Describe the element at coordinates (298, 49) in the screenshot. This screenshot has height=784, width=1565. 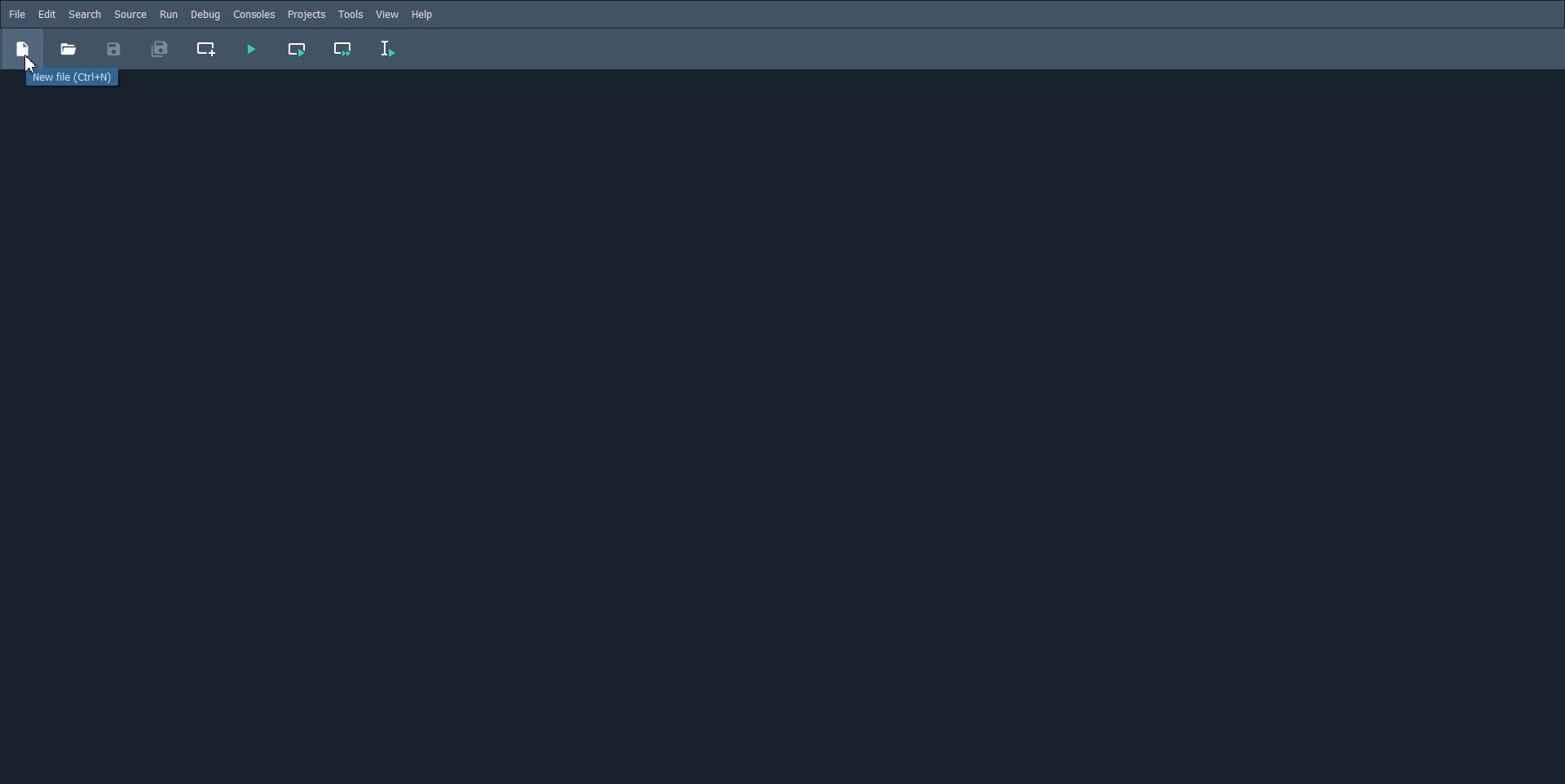
I see `Run Current cell` at that location.